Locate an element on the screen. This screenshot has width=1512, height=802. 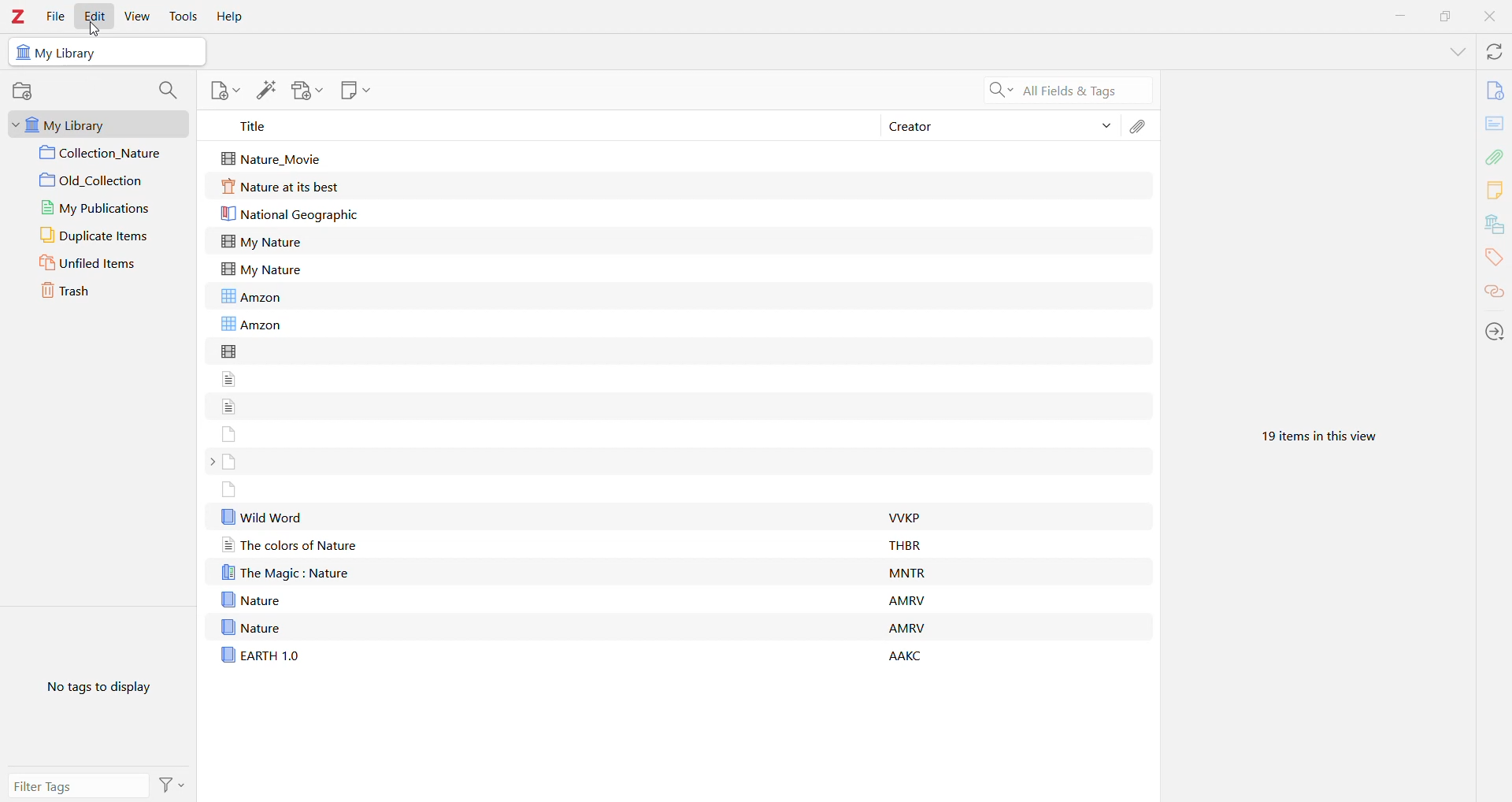
Close is located at coordinates (1488, 18).